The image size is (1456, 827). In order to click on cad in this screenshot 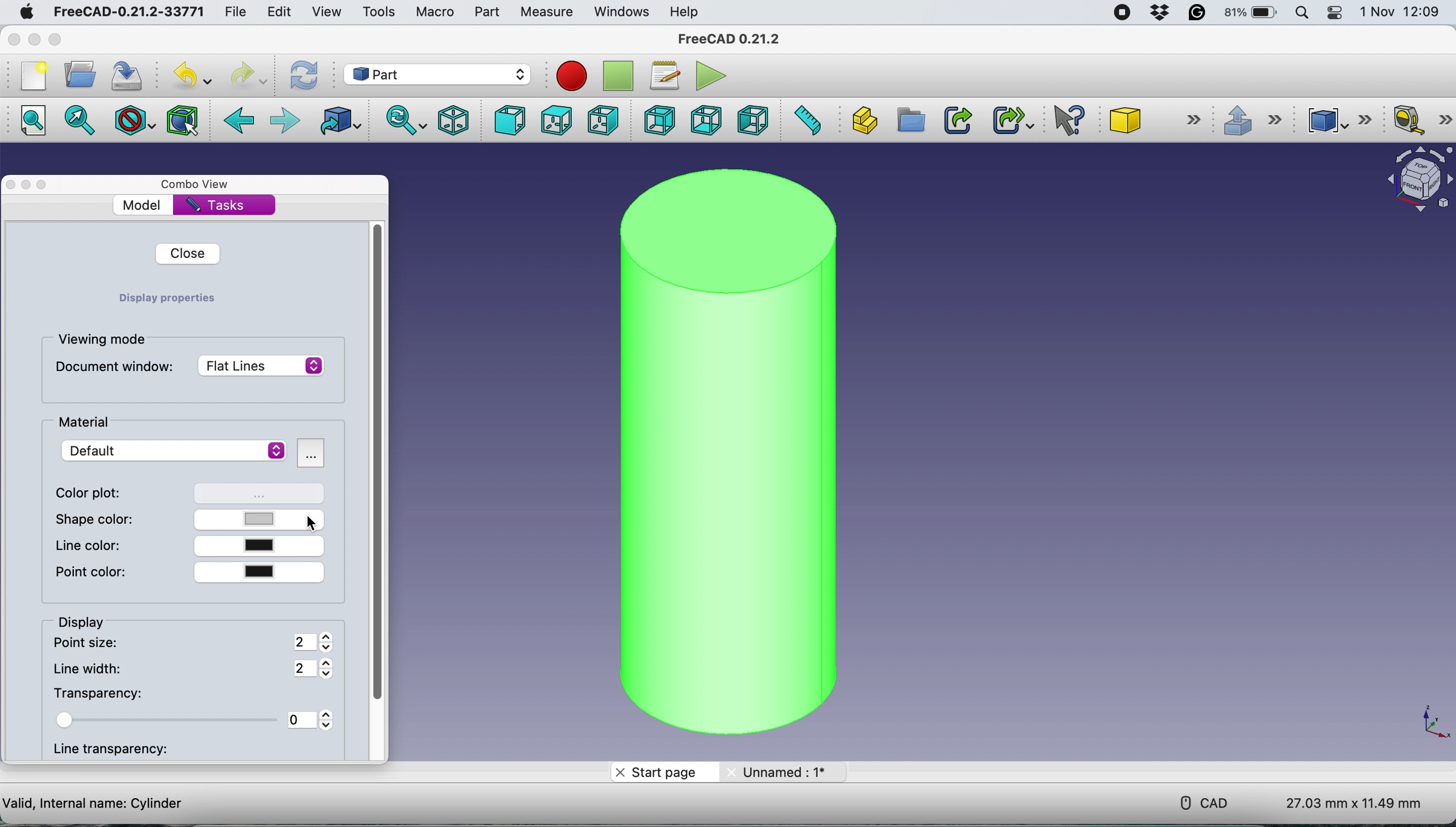, I will do `click(1204, 801)`.